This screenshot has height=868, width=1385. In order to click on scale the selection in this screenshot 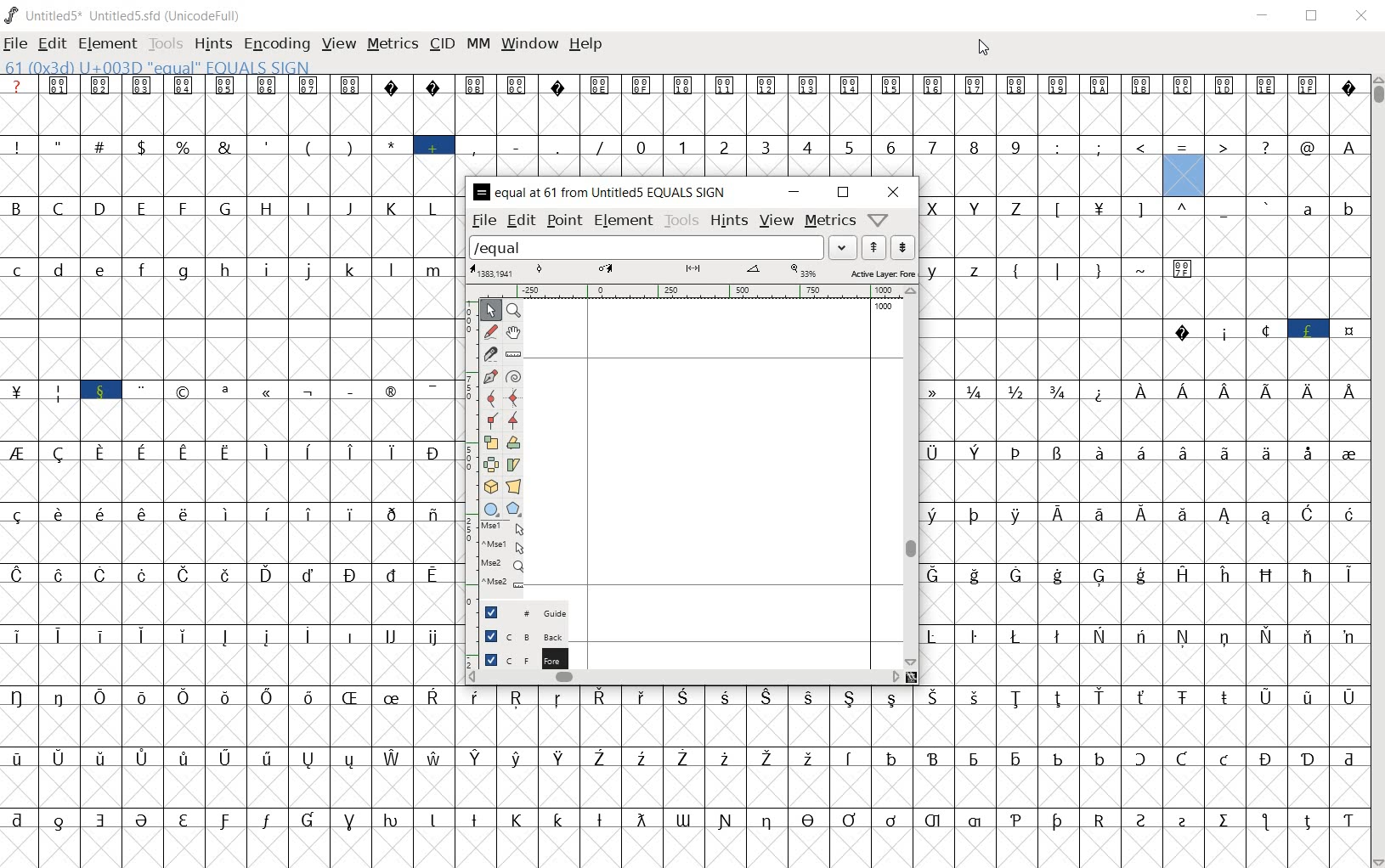, I will do `click(490, 442)`.